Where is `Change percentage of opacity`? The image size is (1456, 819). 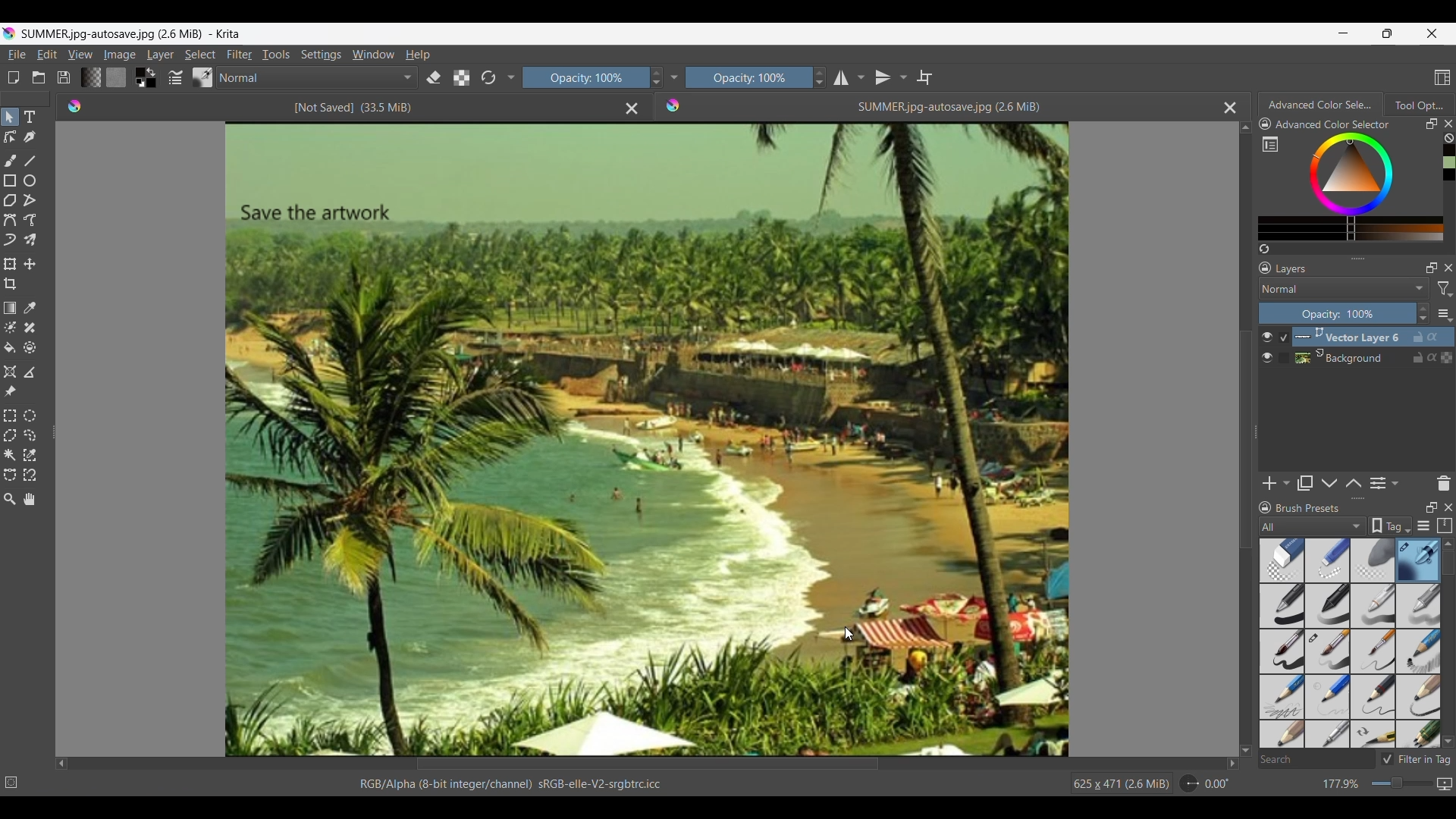
Change percentage of opacity is located at coordinates (1337, 313).